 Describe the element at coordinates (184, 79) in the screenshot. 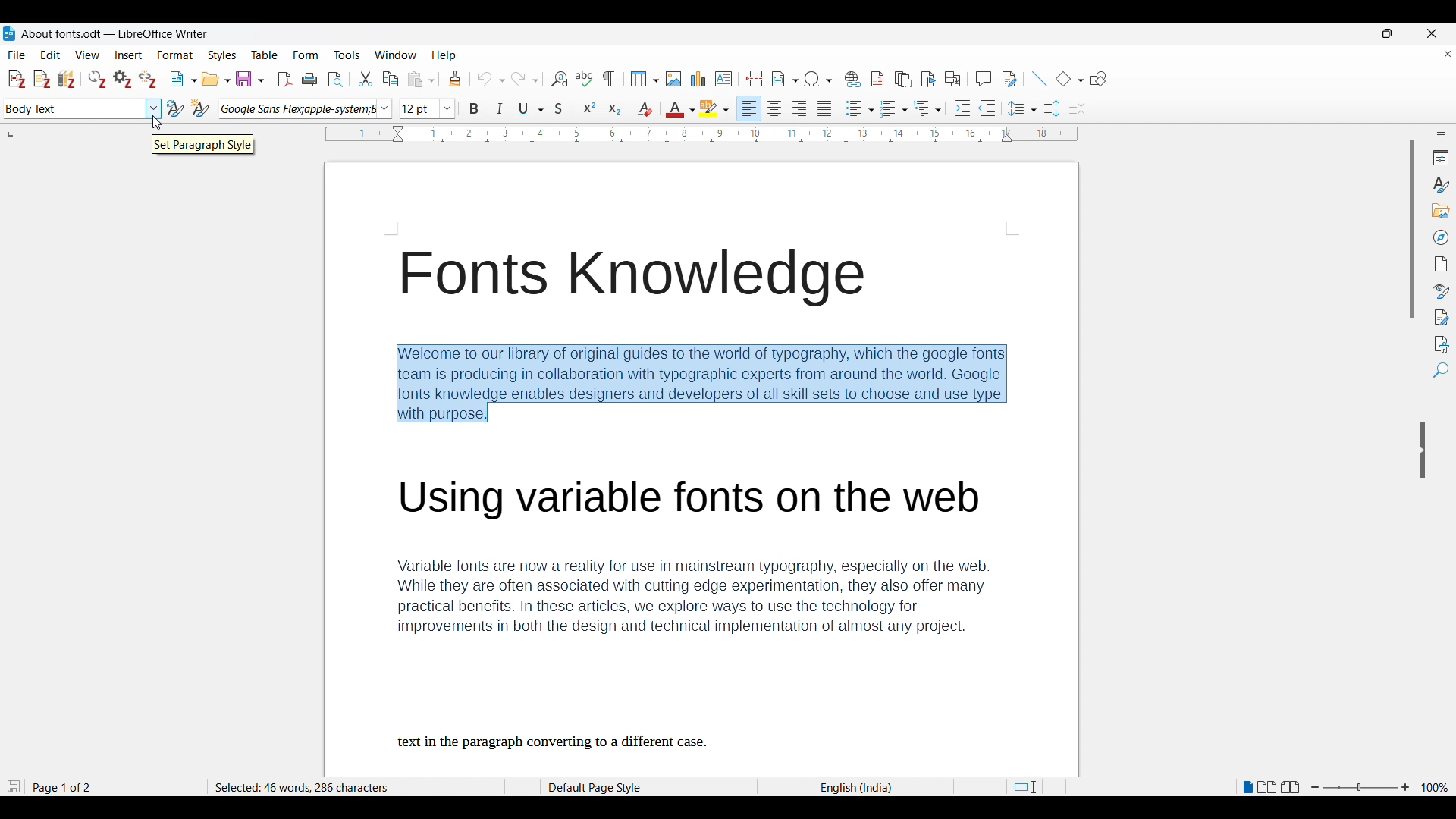

I see `New document` at that location.